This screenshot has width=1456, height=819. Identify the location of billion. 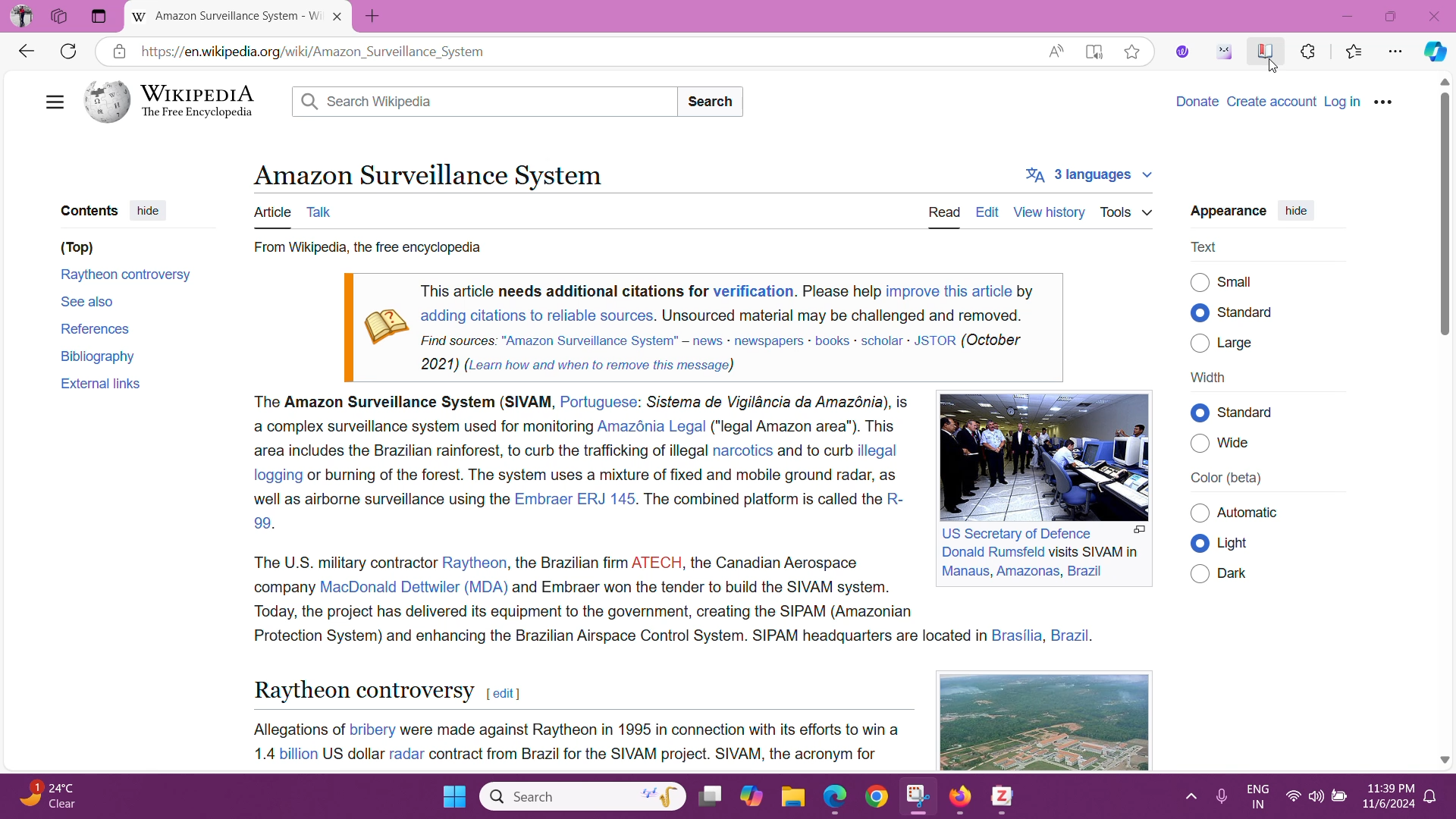
(297, 754).